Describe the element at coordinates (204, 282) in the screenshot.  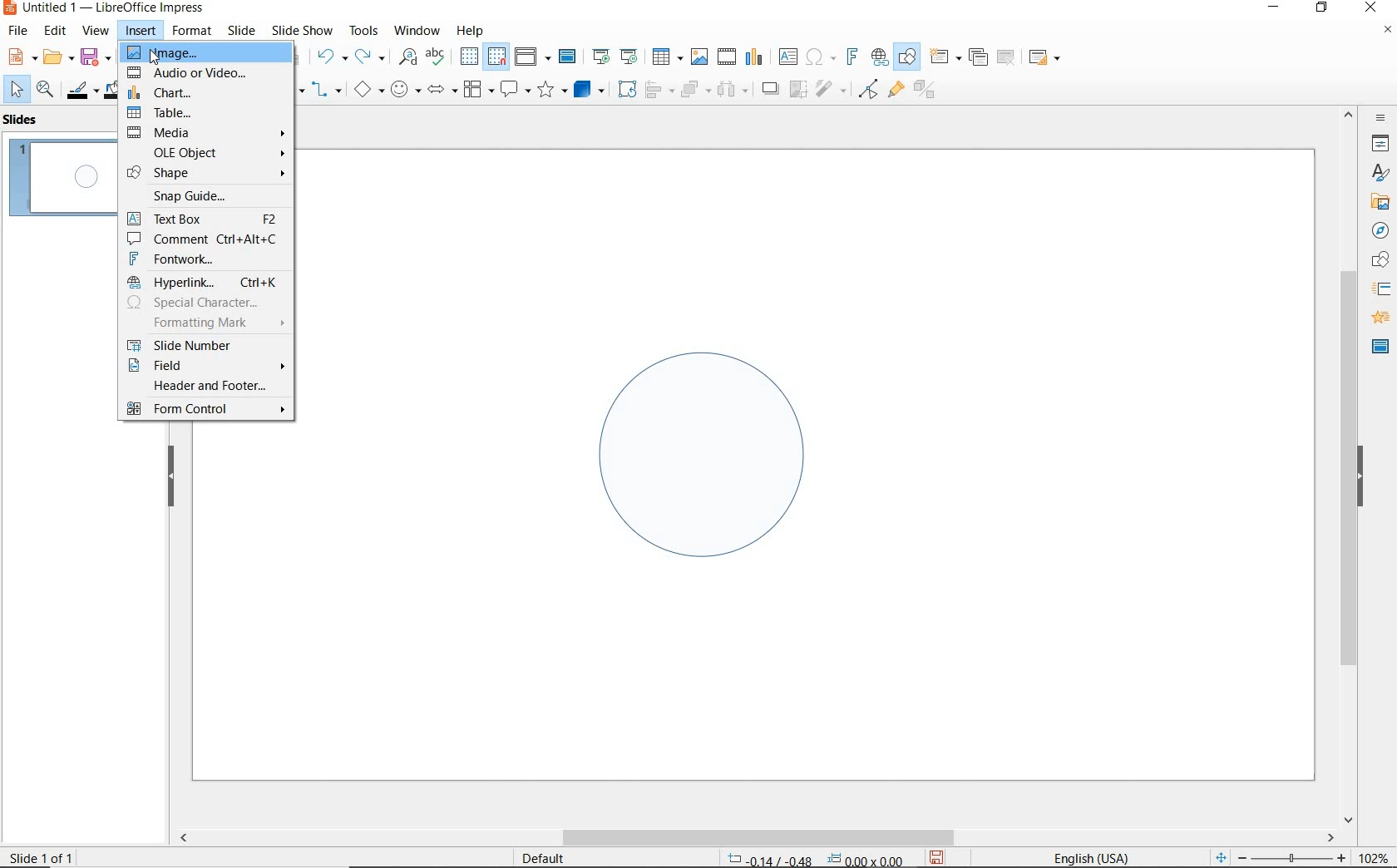
I see `HYPERLINK` at that location.